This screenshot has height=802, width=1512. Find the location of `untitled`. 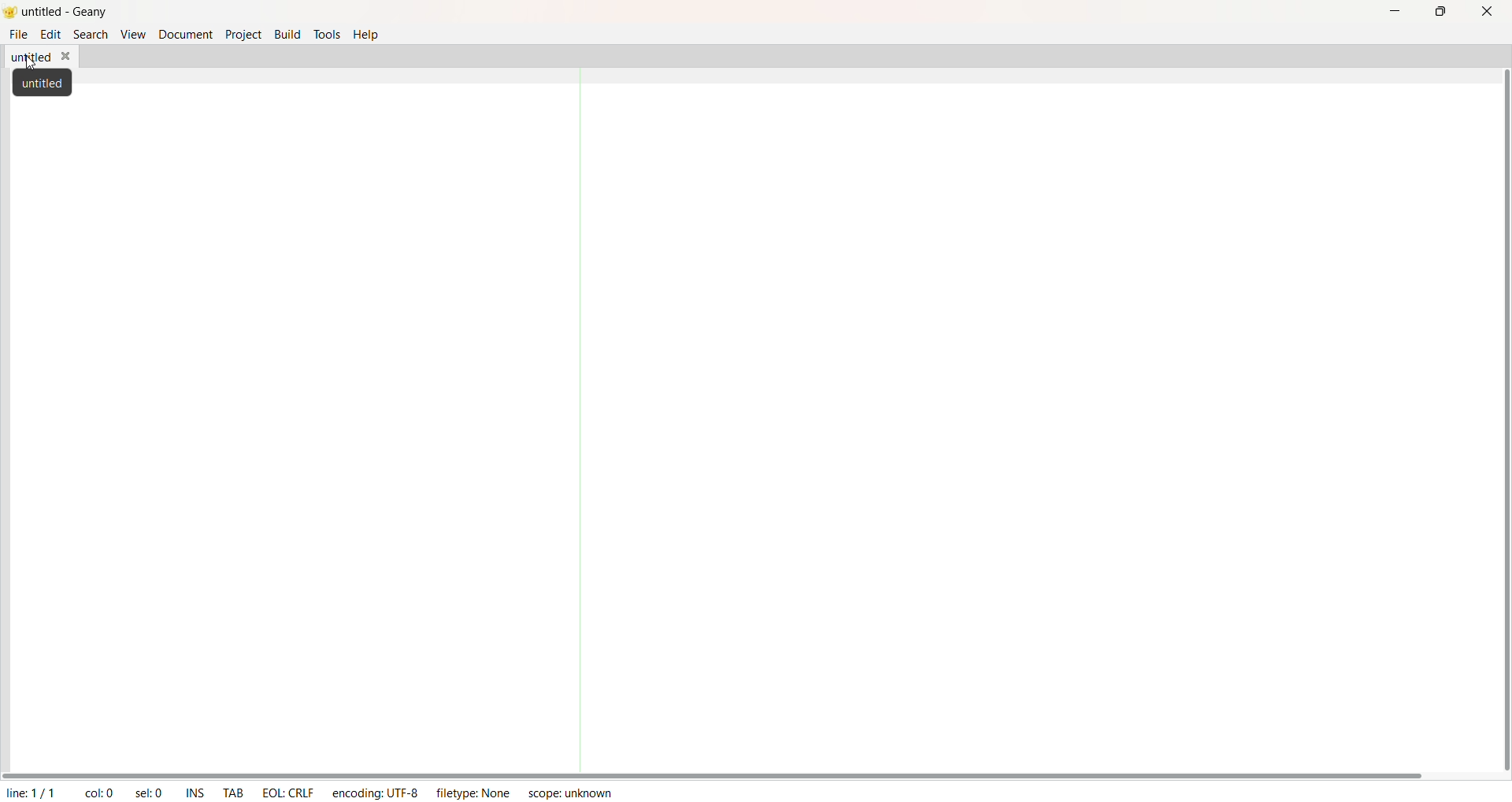

untitled is located at coordinates (39, 58).